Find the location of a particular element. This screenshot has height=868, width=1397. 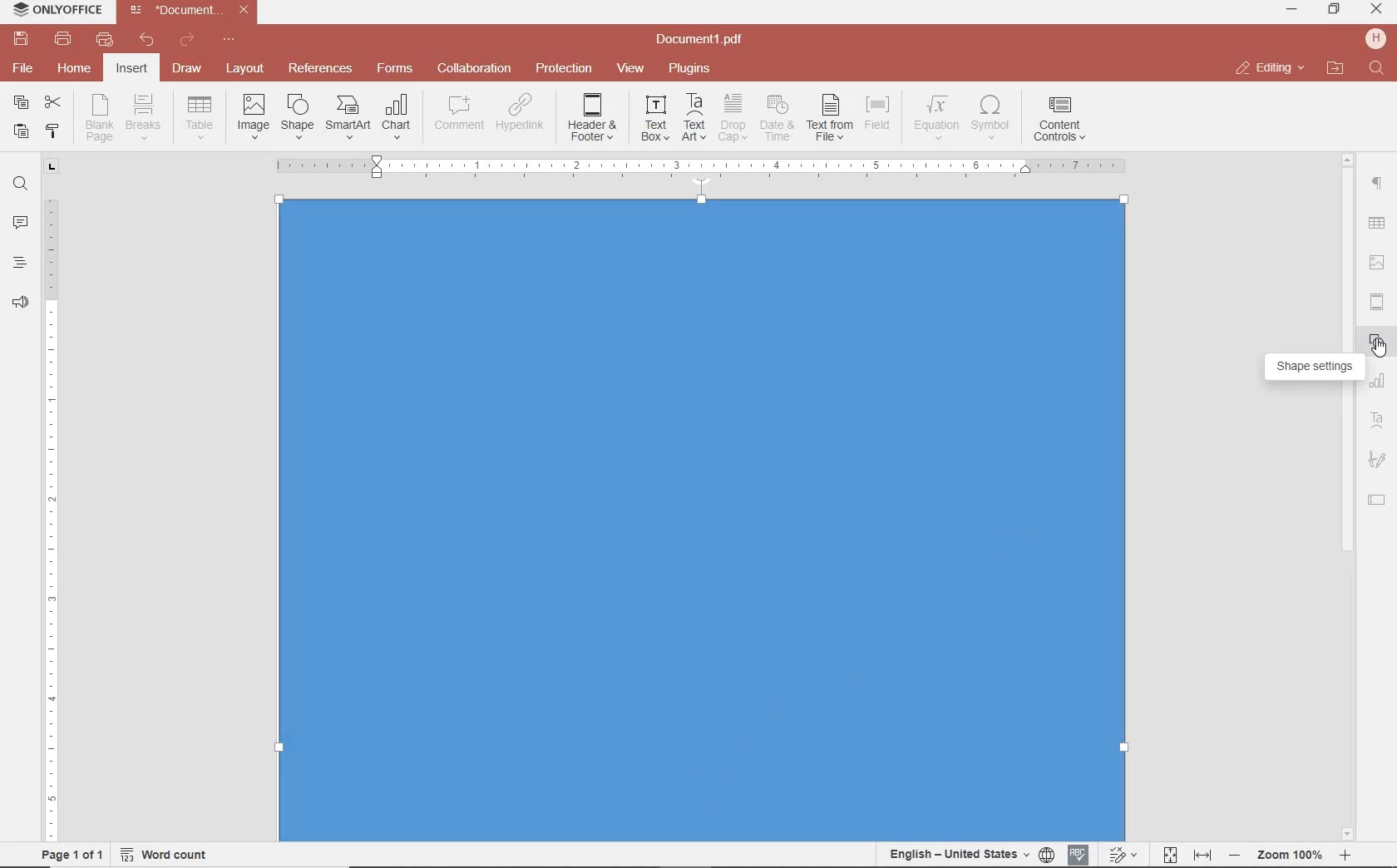

layout is located at coordinates (248, 70).